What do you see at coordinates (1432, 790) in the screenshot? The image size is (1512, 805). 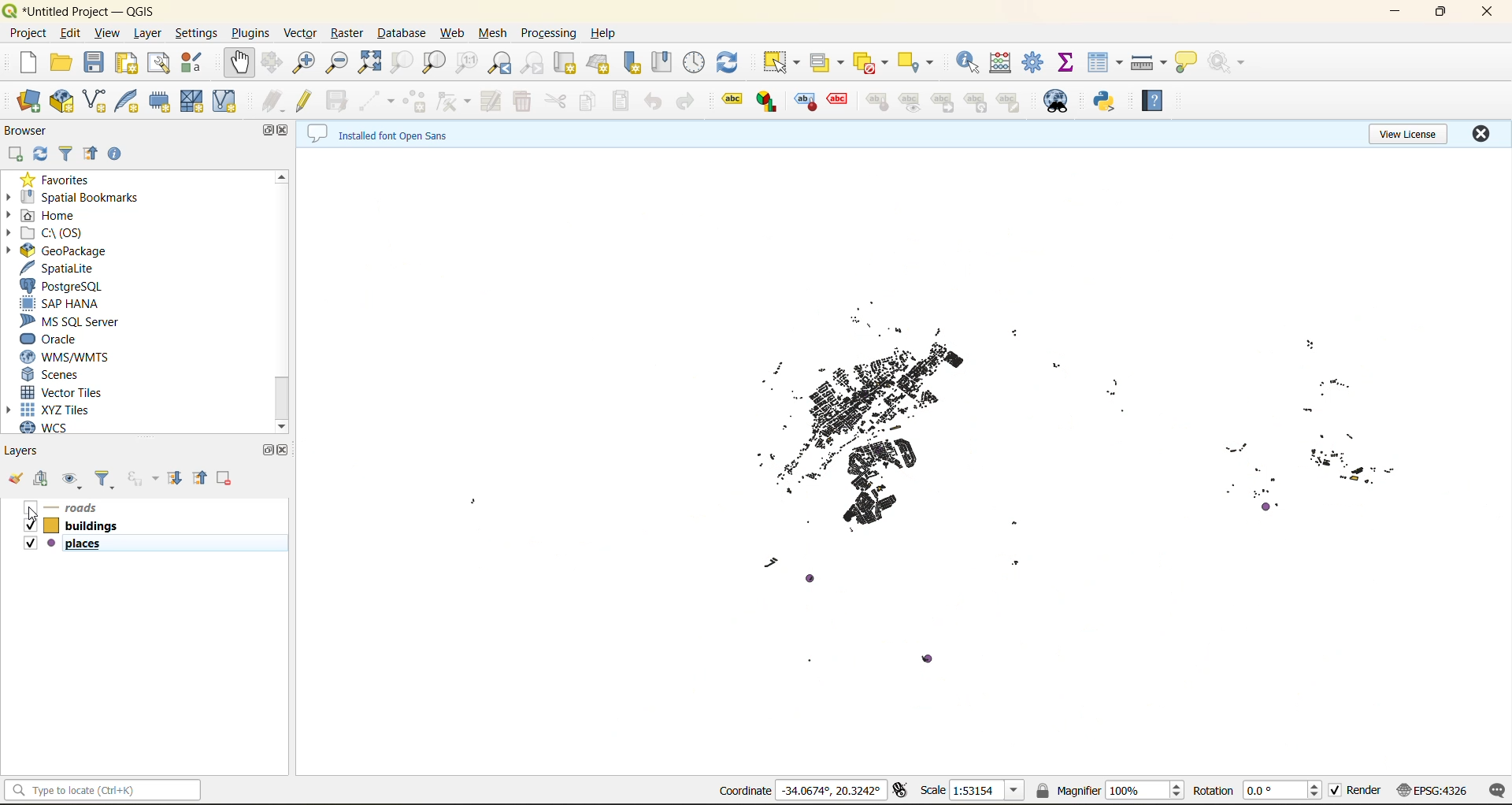 I see `crs` at bounding box center [1432, 790].